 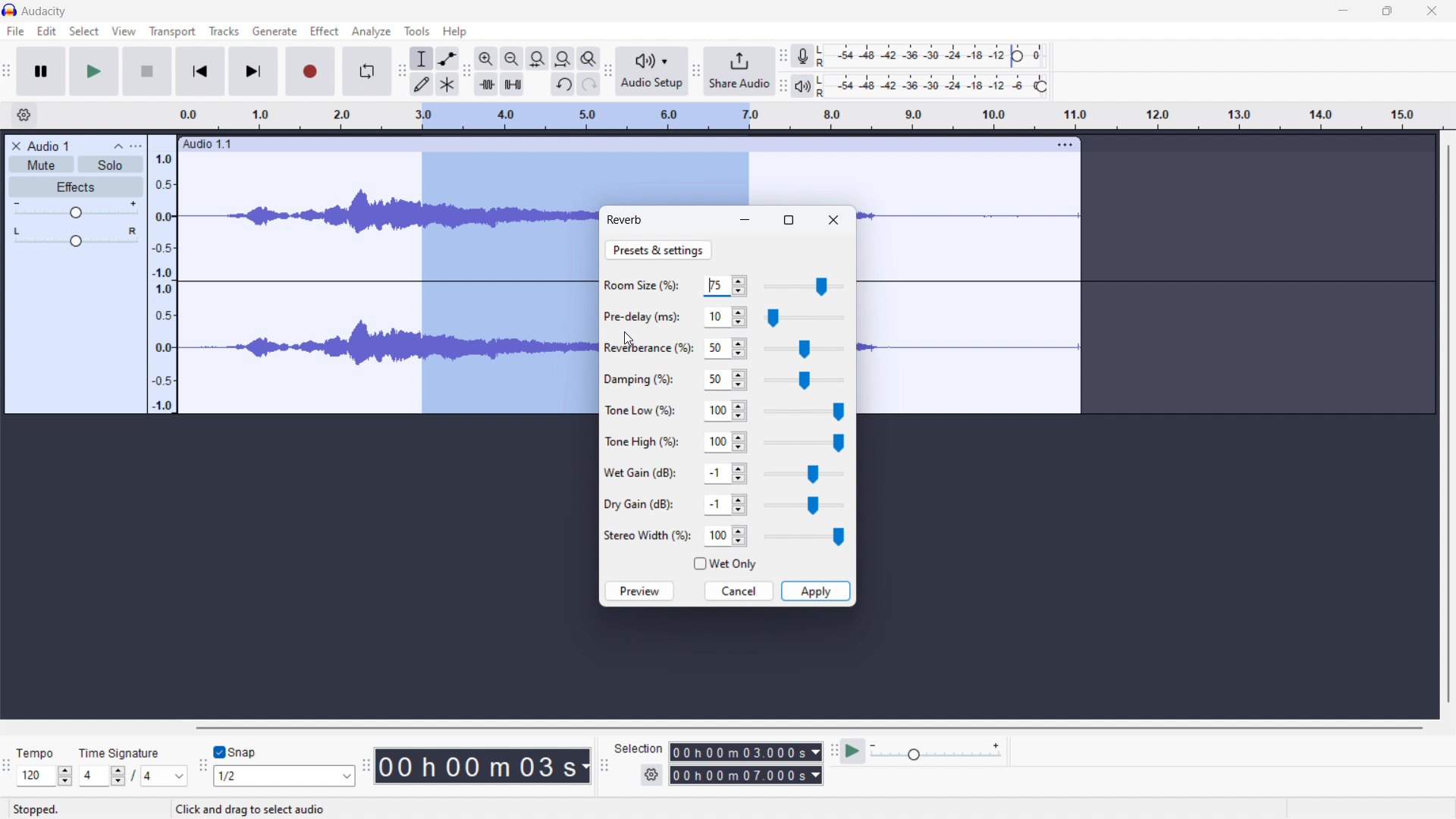 I want to click on time signature, so click(x=807, y=114).